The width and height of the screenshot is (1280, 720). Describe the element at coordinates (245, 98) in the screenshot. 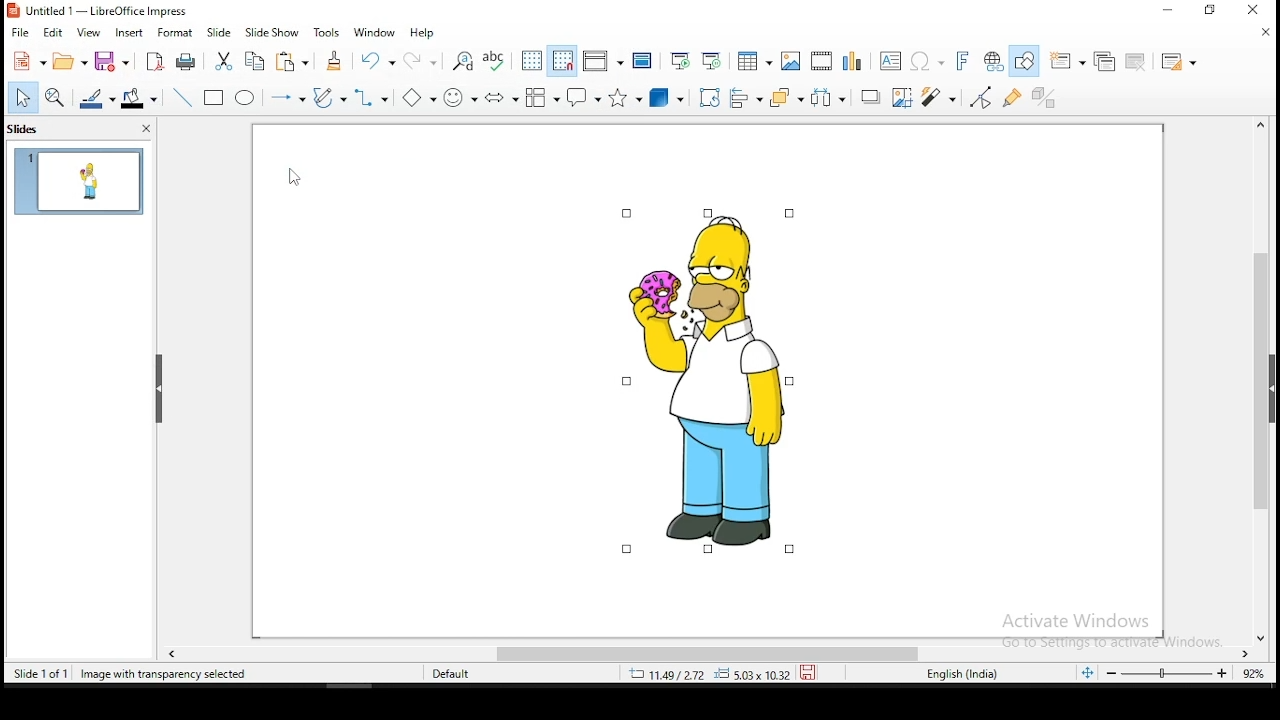

I see `ellipse` at that location.